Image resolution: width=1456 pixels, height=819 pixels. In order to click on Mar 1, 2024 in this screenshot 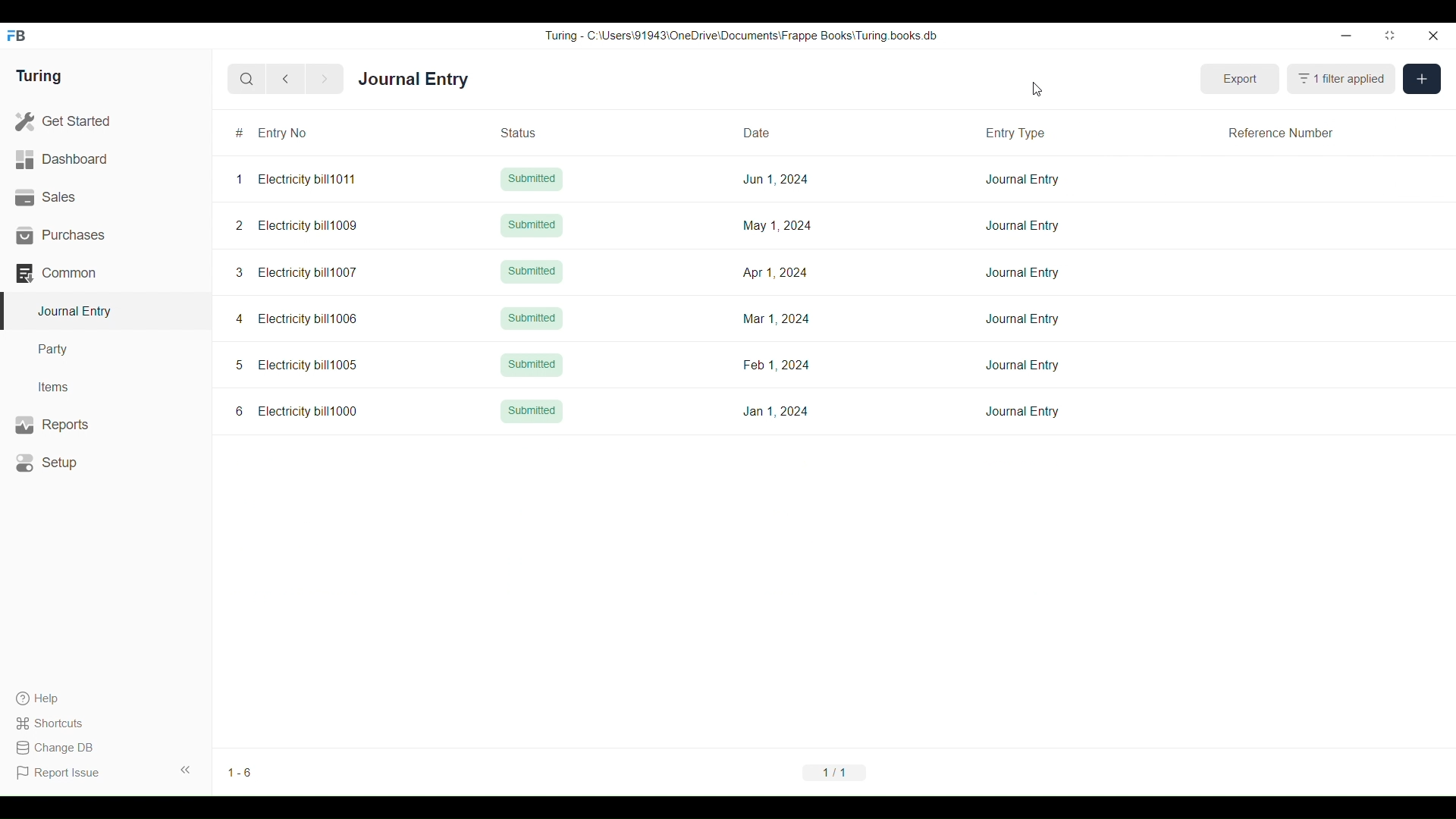, I will do `click(777, 319)`.